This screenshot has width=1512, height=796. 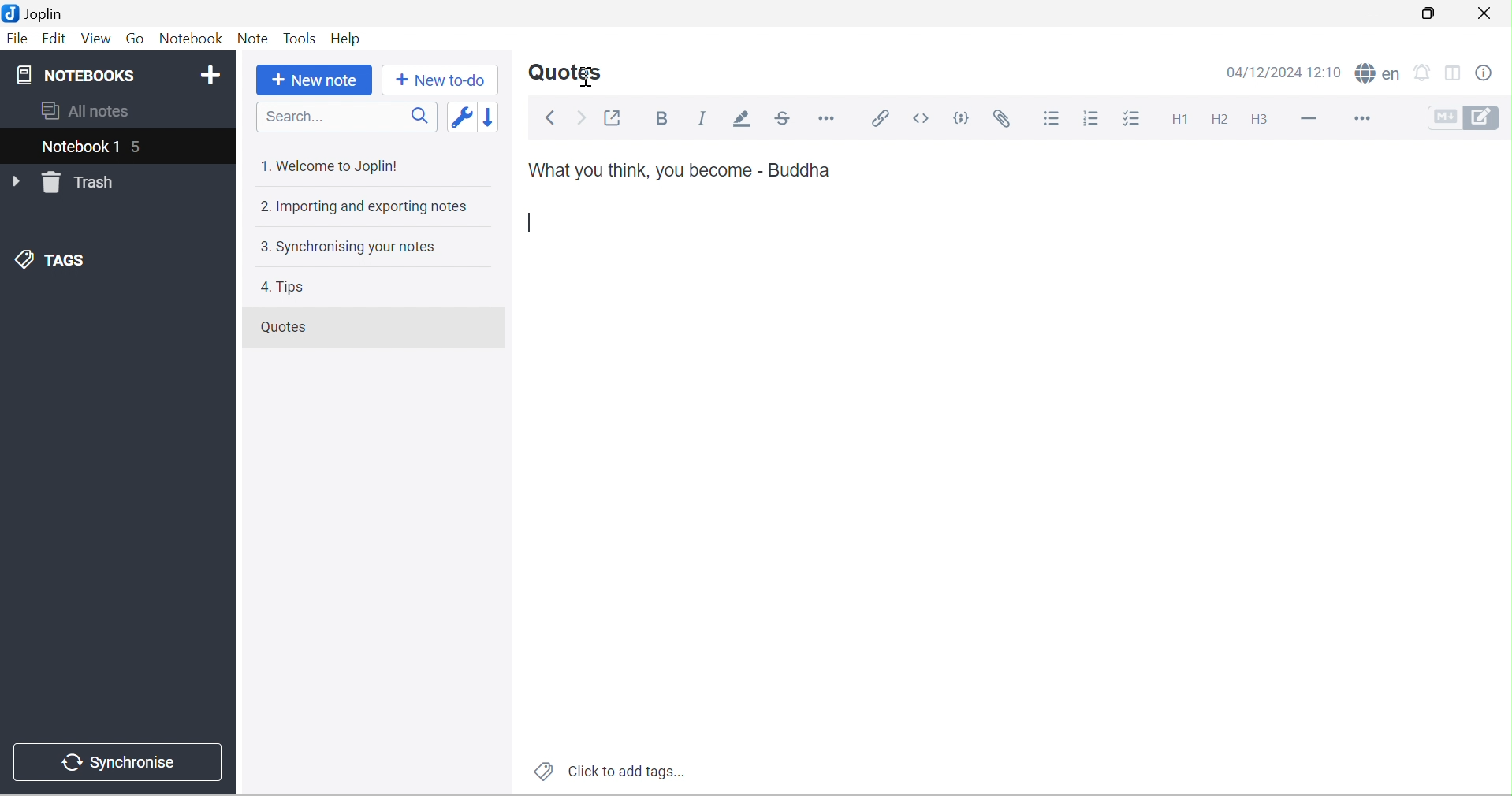 What do you see at coordinates (664, 119) in the screenshot?
I see `Bold` at bounding box center [664, 119].